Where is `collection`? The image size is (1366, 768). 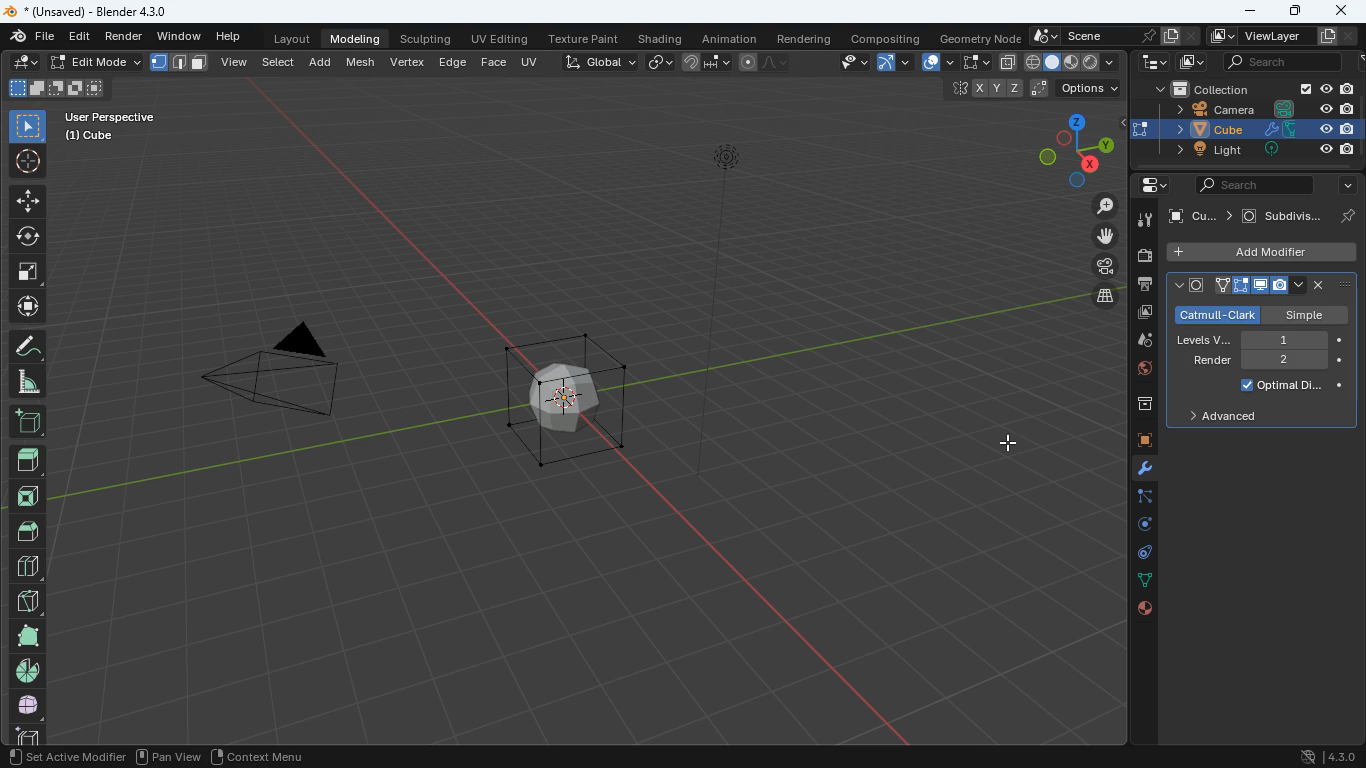 collection is located at coordinates (1246, 89).